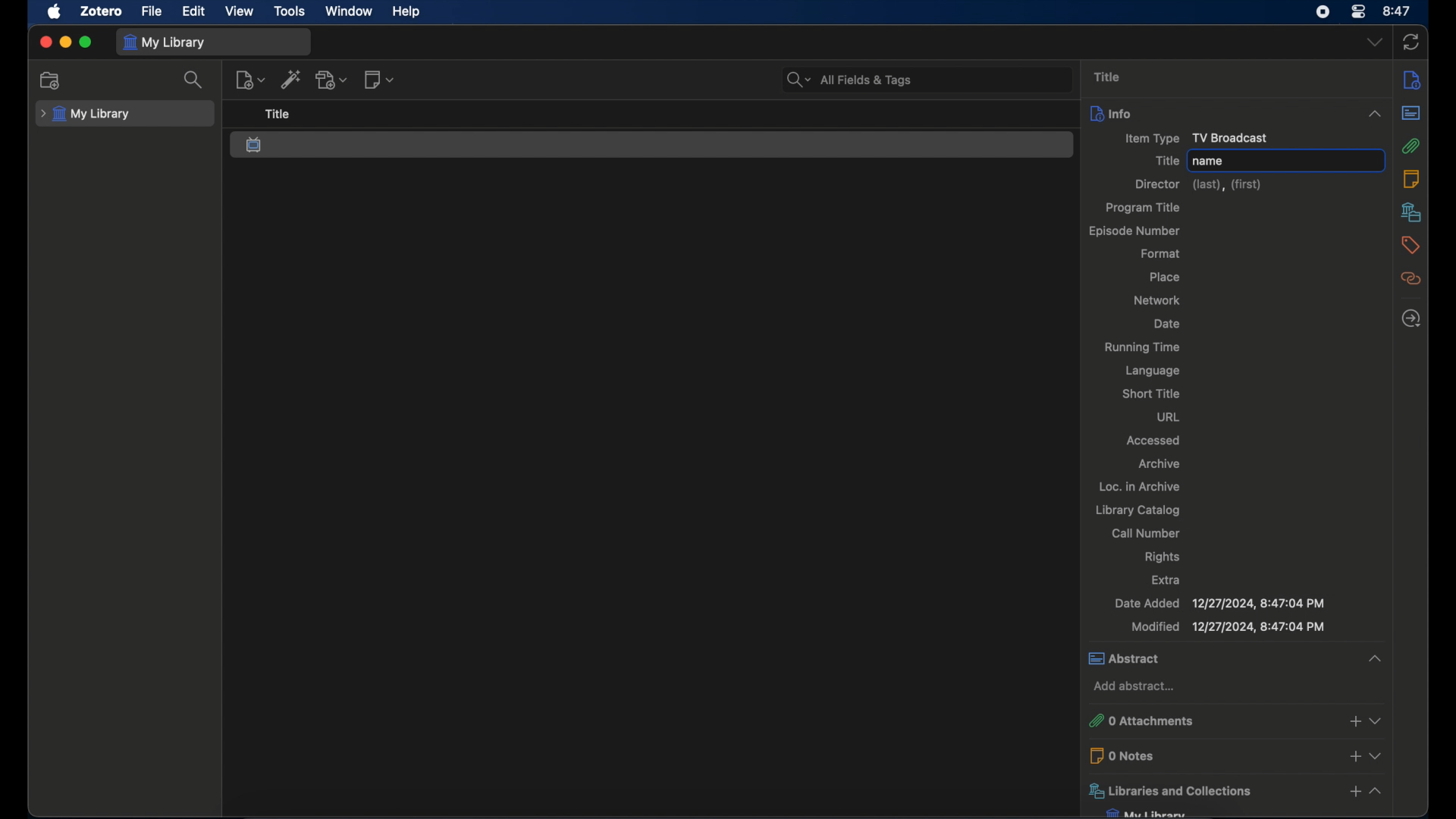 The width and height of the screenshot is (1456, 819). What do you see at coordinates (1410, 115) in the screenshot?
I see `abstract` at bounding box center [1410, 115].